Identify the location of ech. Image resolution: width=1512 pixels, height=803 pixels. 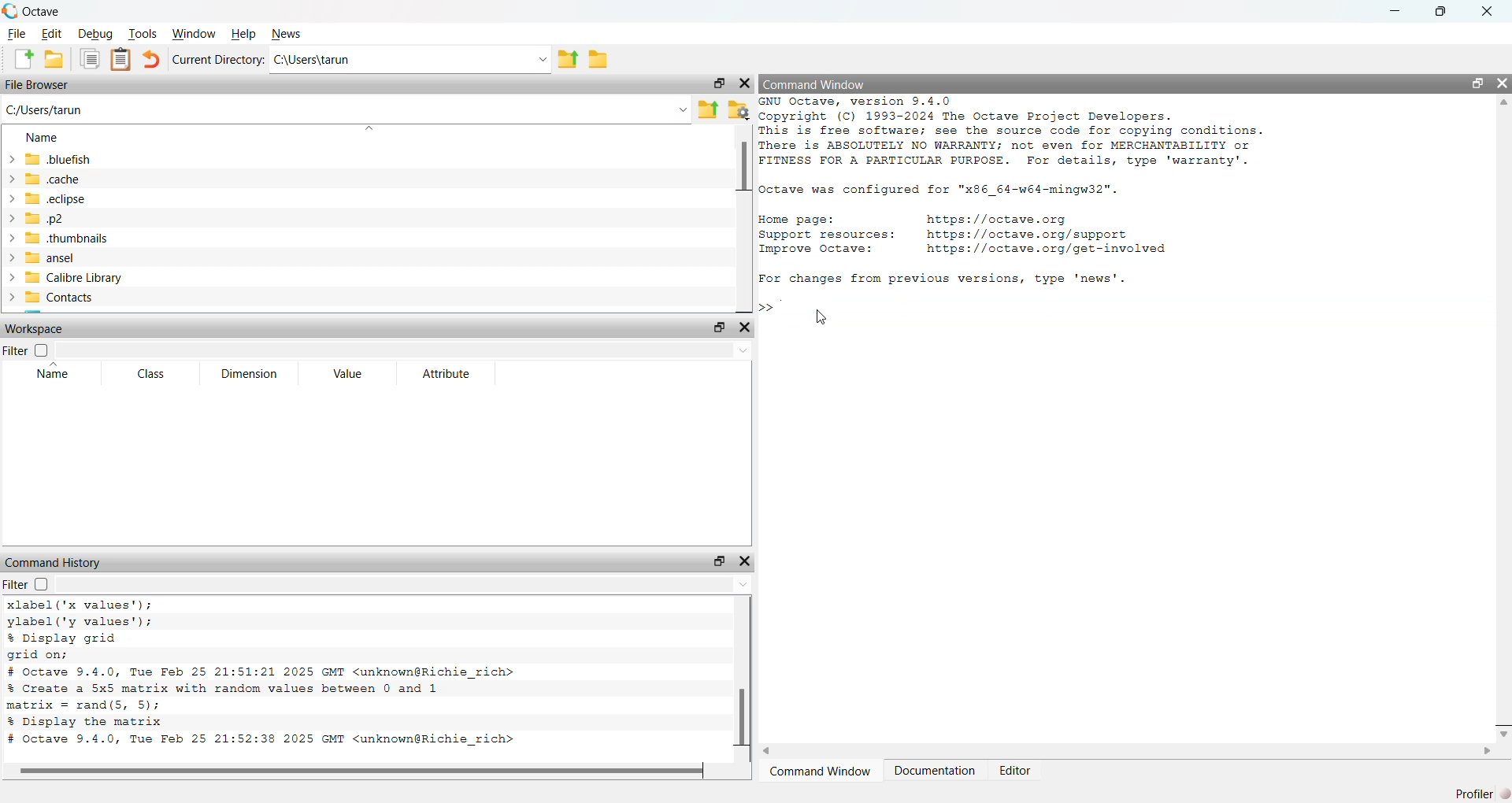
(46, 200).